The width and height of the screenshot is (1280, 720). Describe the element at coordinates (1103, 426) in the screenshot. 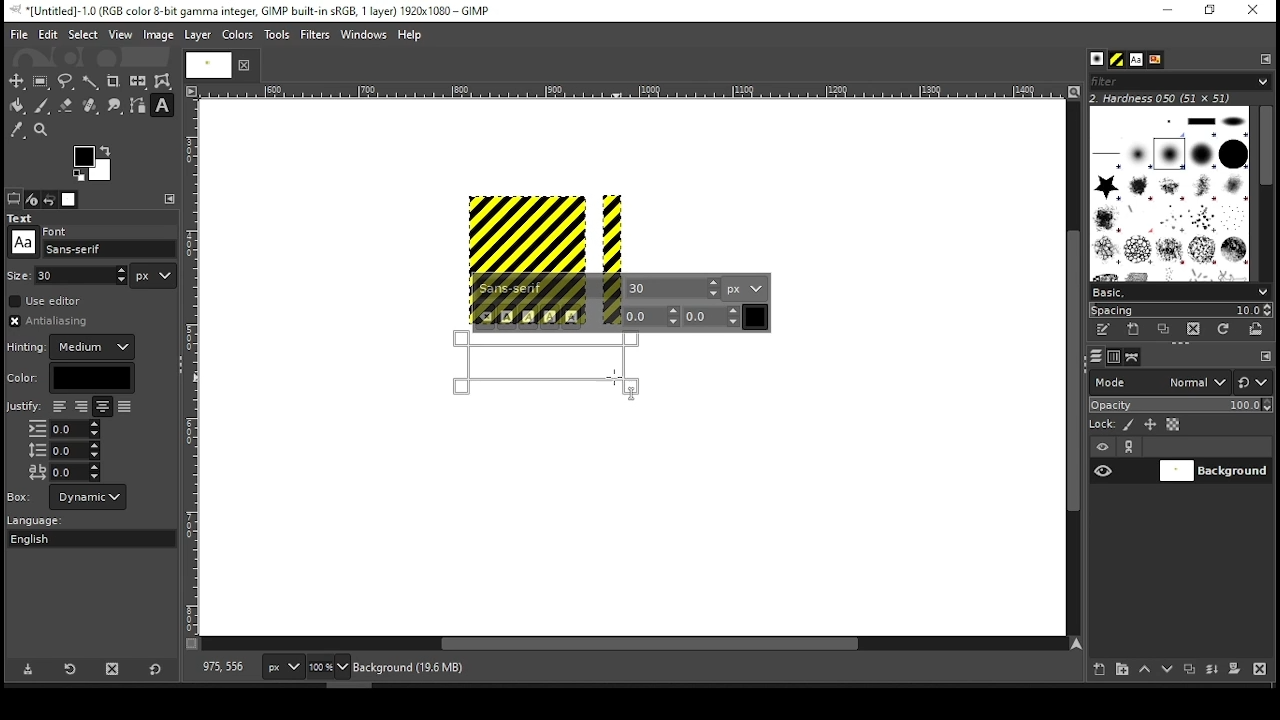

I see `lock:` at that location.